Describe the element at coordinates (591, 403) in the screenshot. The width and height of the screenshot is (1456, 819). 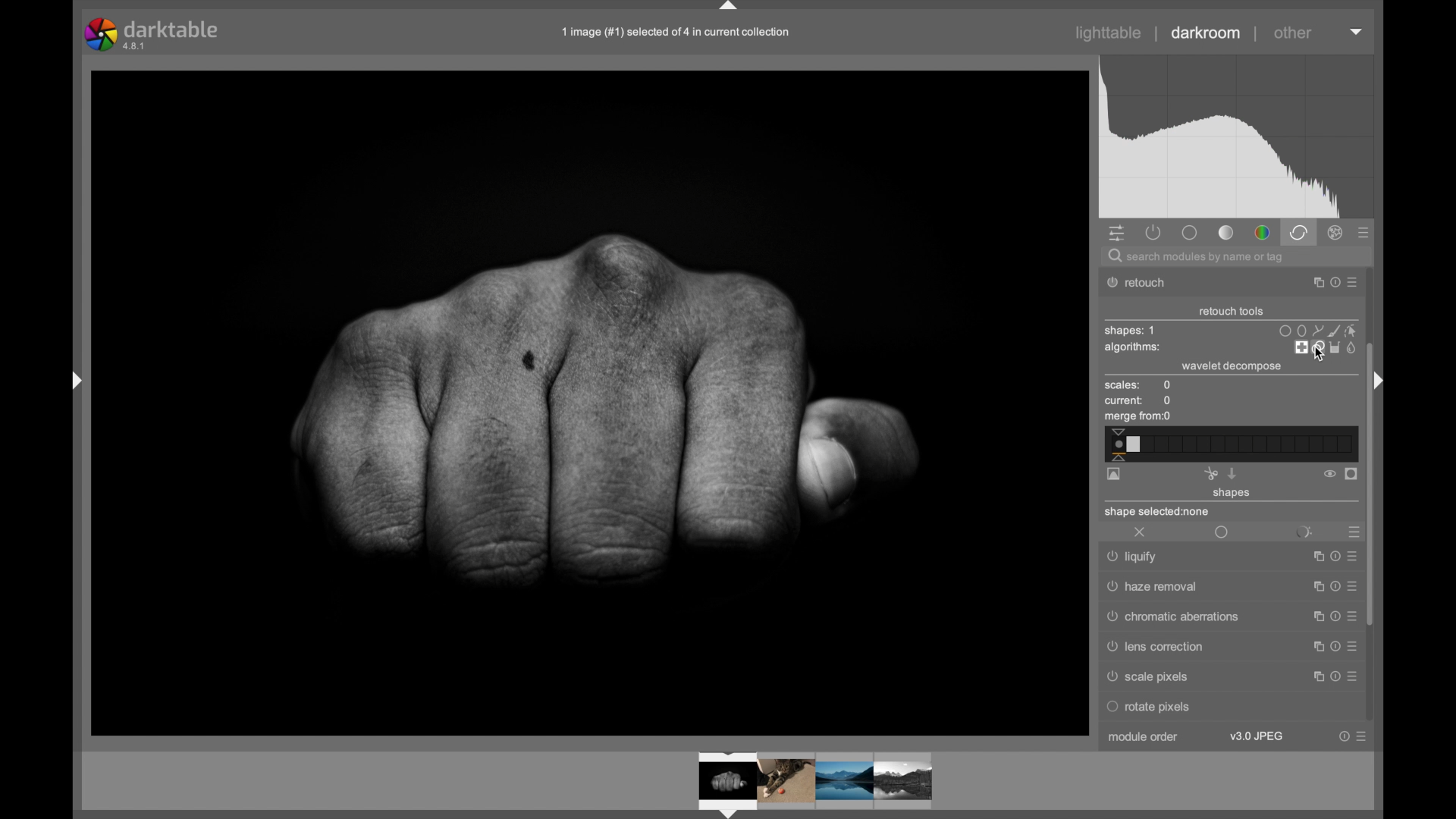
I see `photo` at that location.